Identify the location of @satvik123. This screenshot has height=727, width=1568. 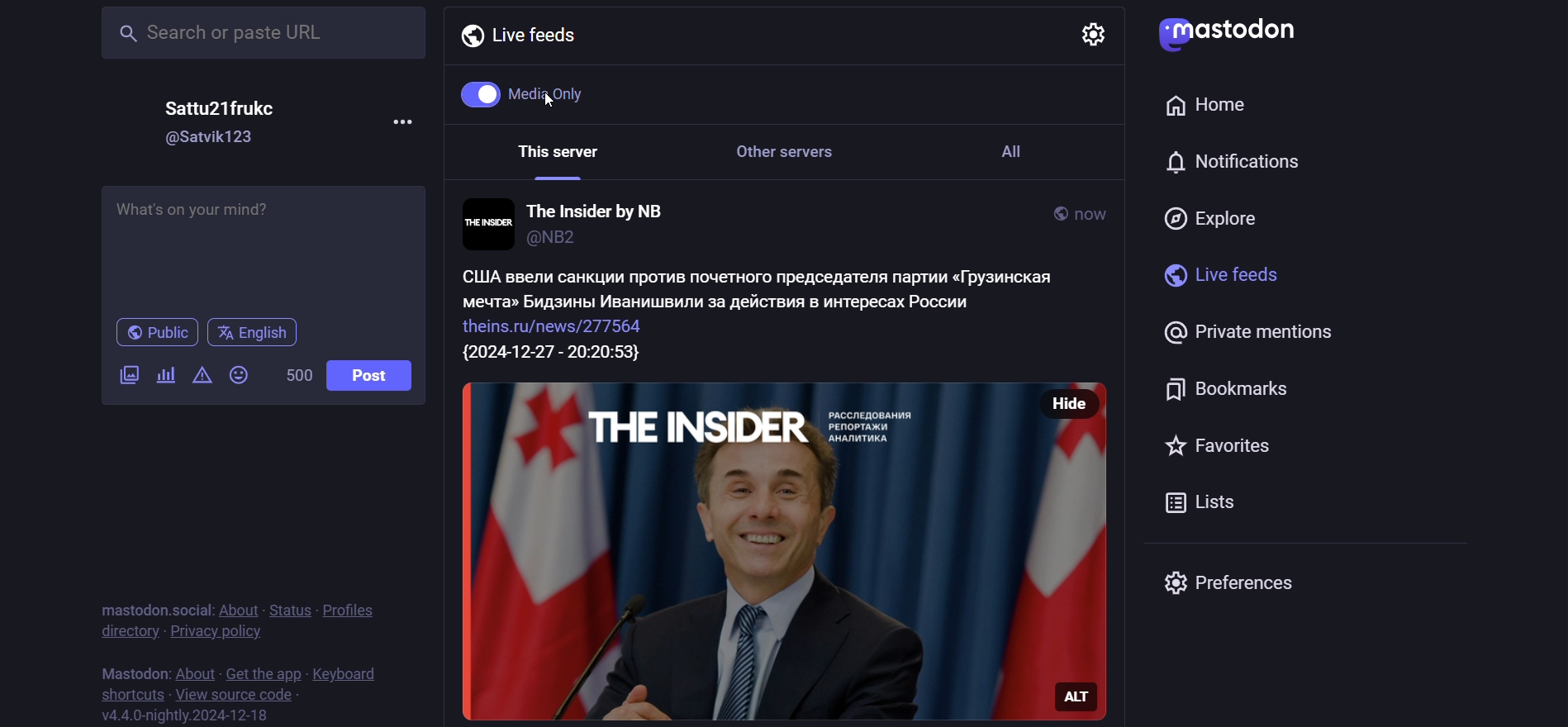
(212, 137).